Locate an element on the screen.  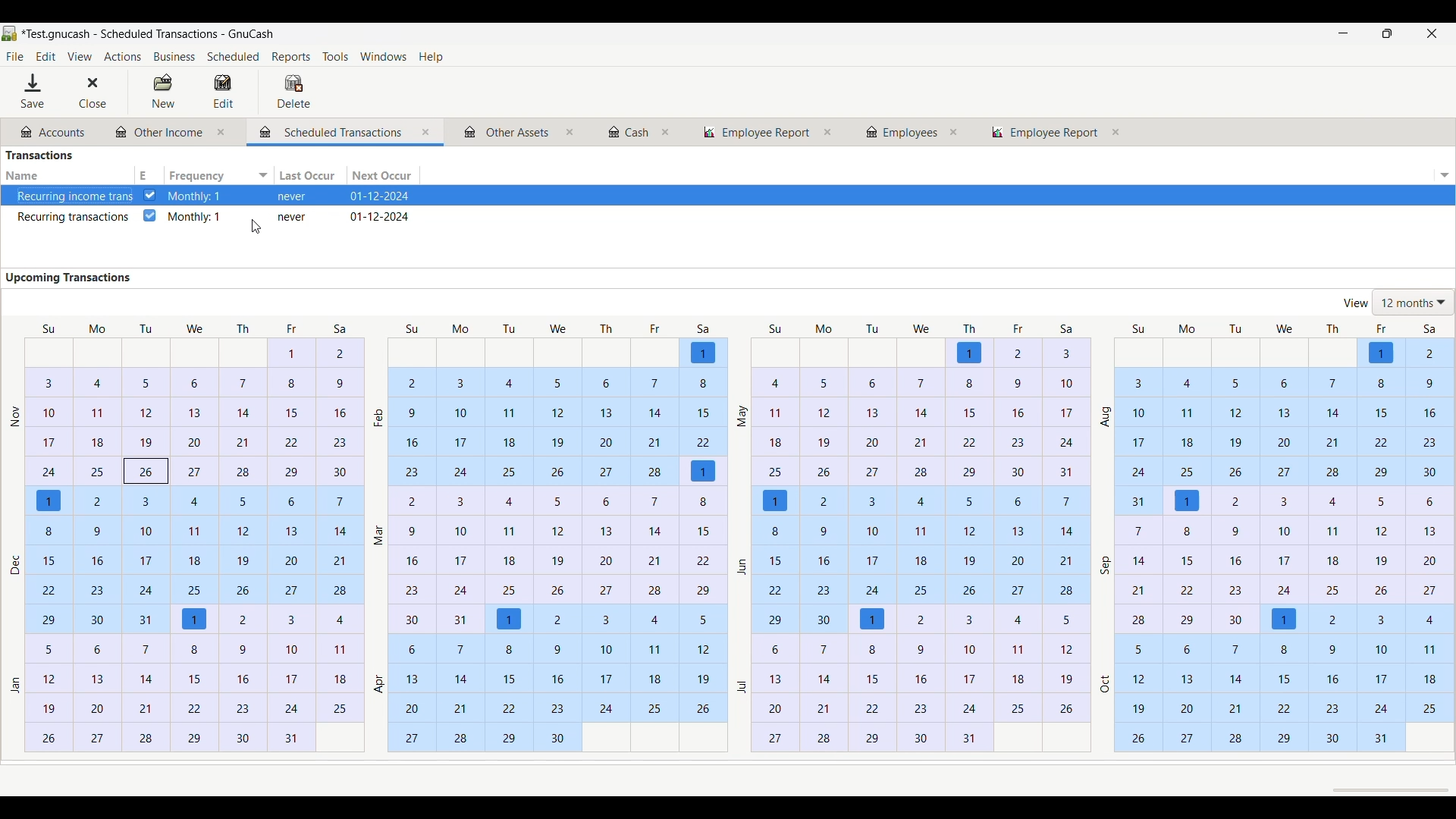
Current view options is located at coordinates (1396, 302).